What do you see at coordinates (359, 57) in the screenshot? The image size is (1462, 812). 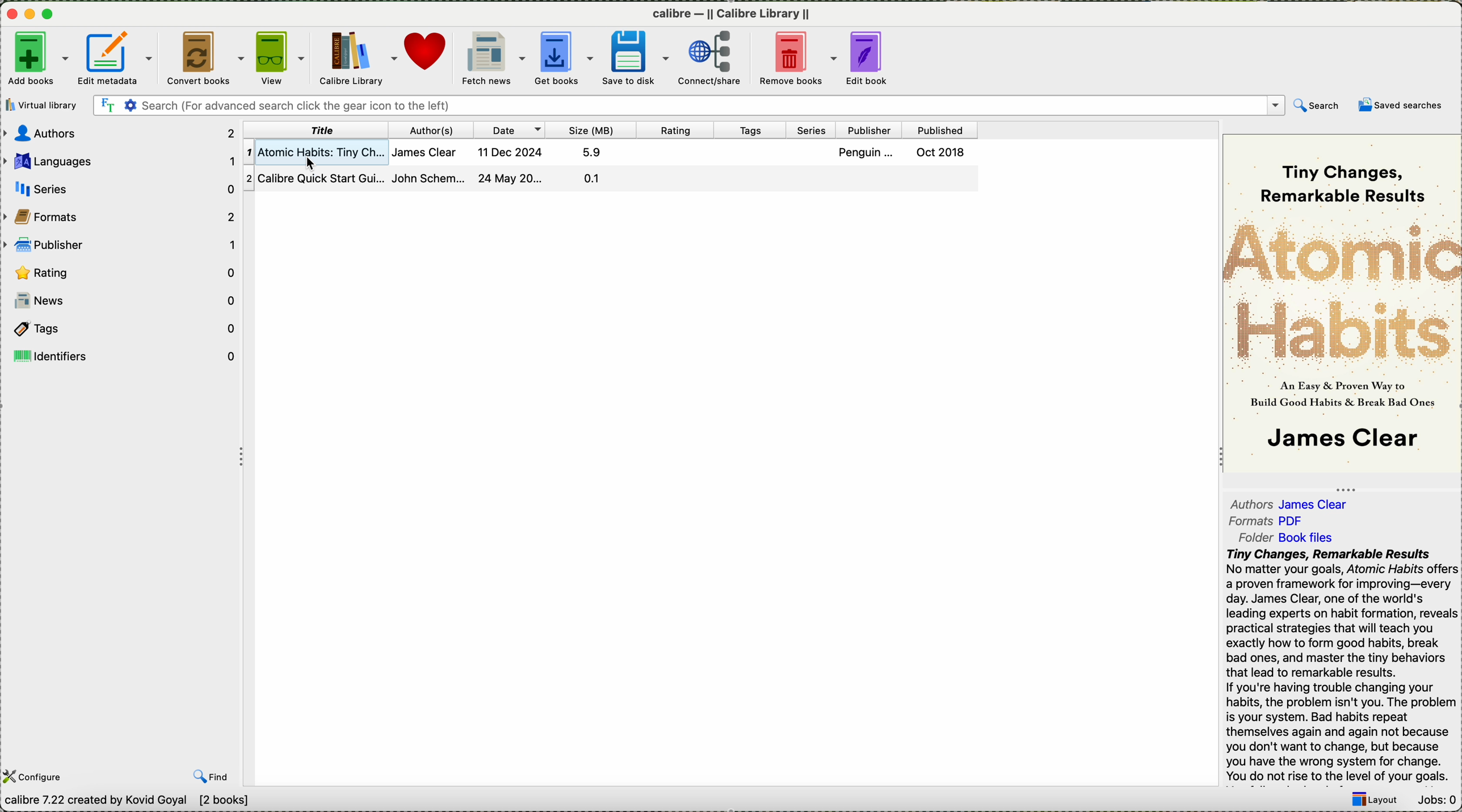 I see `calibre library` at bounding box center [359, 57].